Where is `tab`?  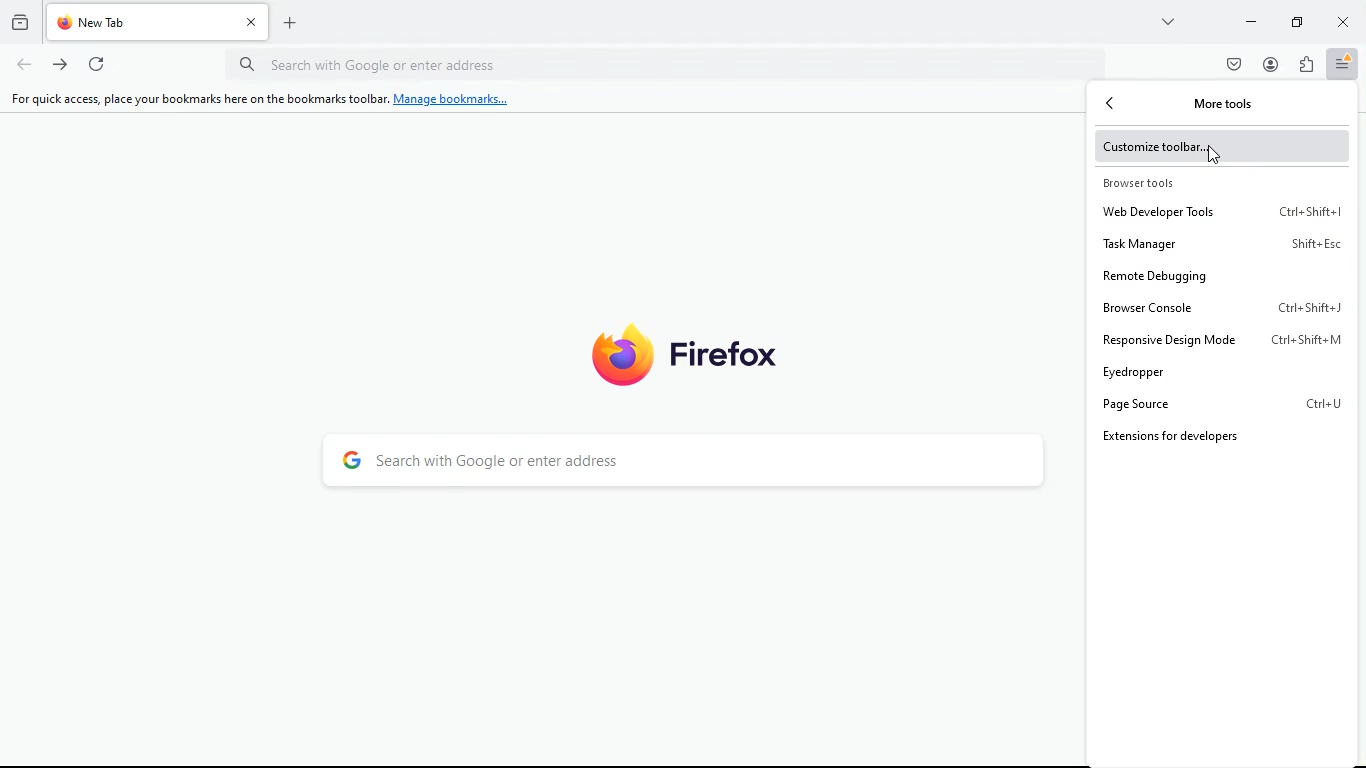
tab is located at coordinates (160, 24).